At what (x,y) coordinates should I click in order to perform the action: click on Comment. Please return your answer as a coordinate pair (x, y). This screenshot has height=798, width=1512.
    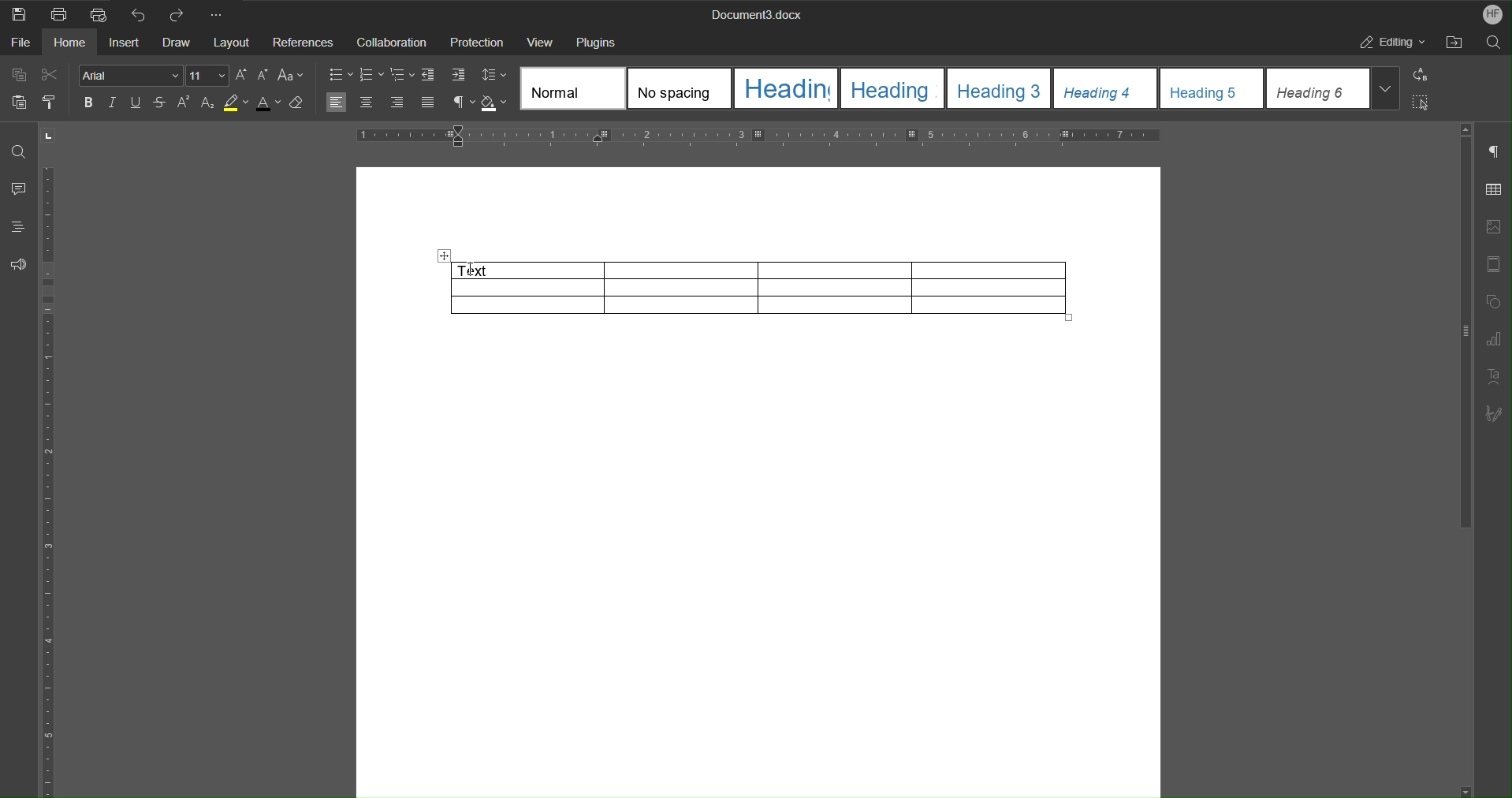
    Looking at the image, I should click on (17, 190).